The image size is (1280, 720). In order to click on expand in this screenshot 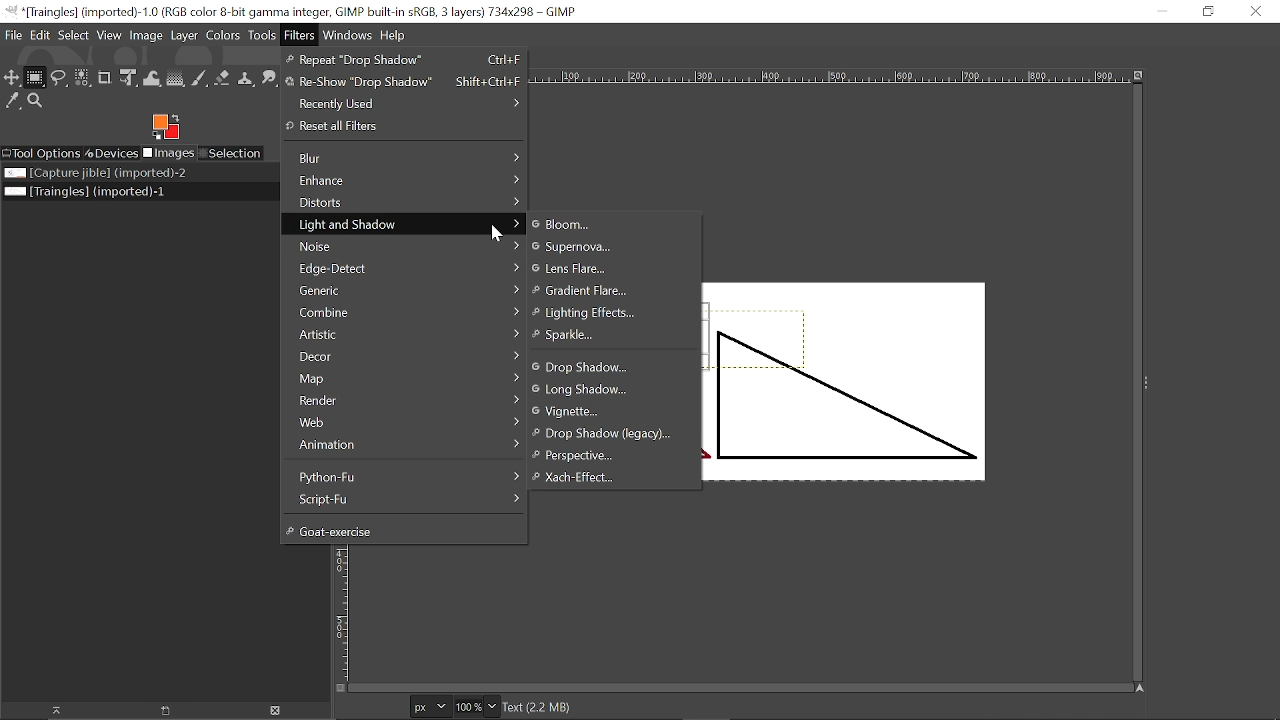, I will do `click(1145, 380)`.